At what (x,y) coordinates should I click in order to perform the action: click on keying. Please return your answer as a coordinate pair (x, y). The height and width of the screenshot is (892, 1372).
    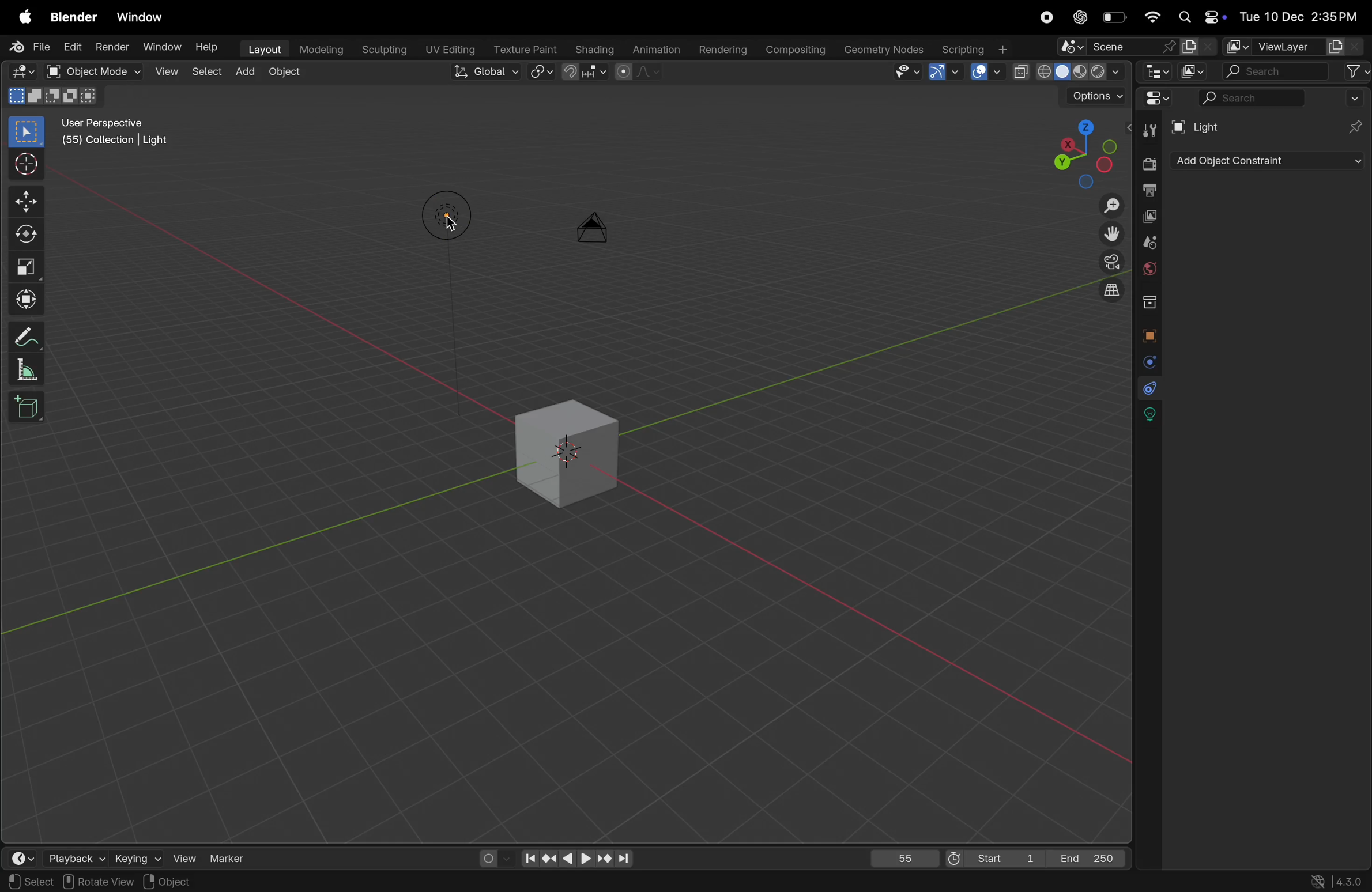
    Looking at the image, I should click on (138, 857).